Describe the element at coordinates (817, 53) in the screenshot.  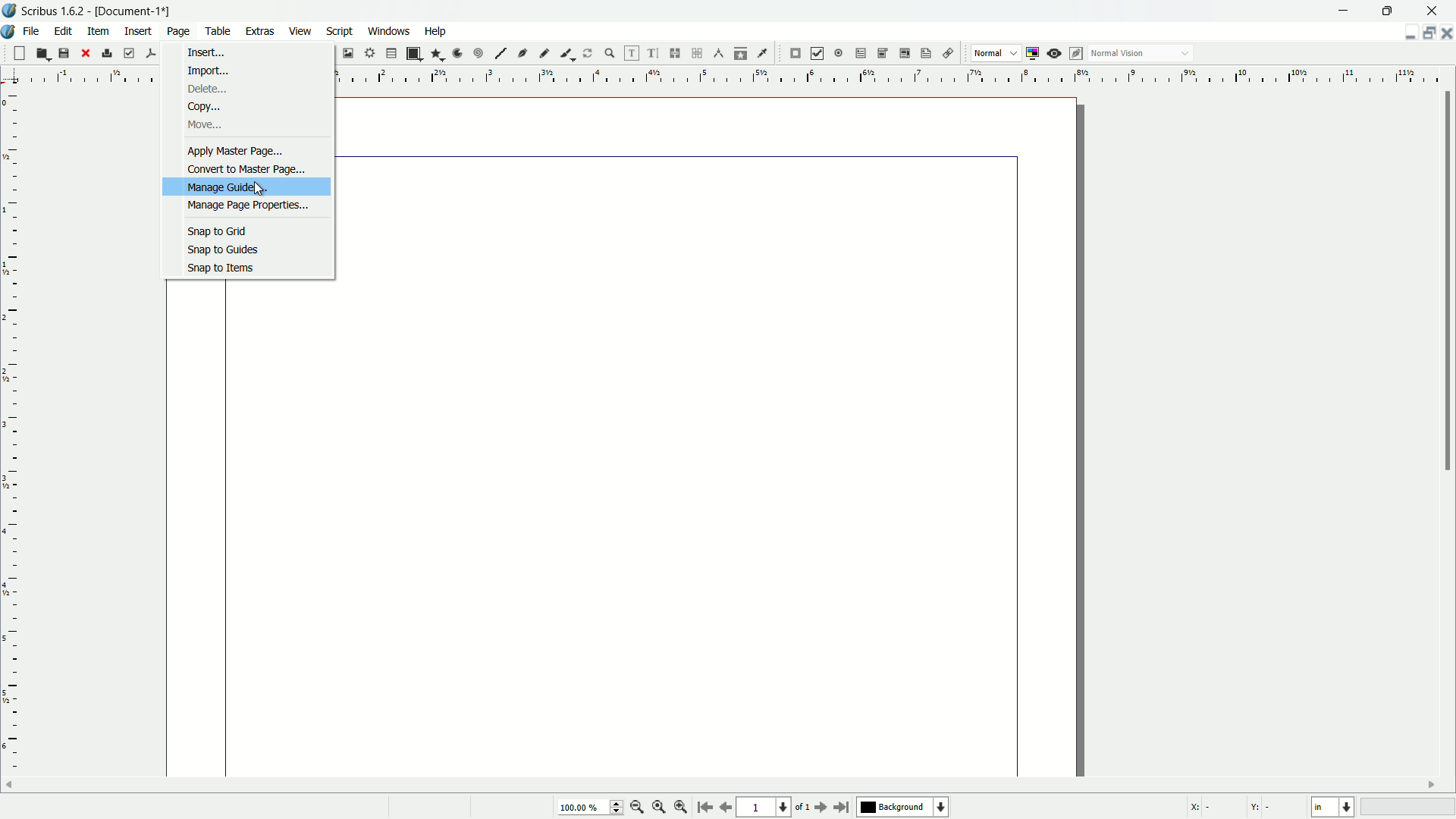
I see `pdf check box` at that location.